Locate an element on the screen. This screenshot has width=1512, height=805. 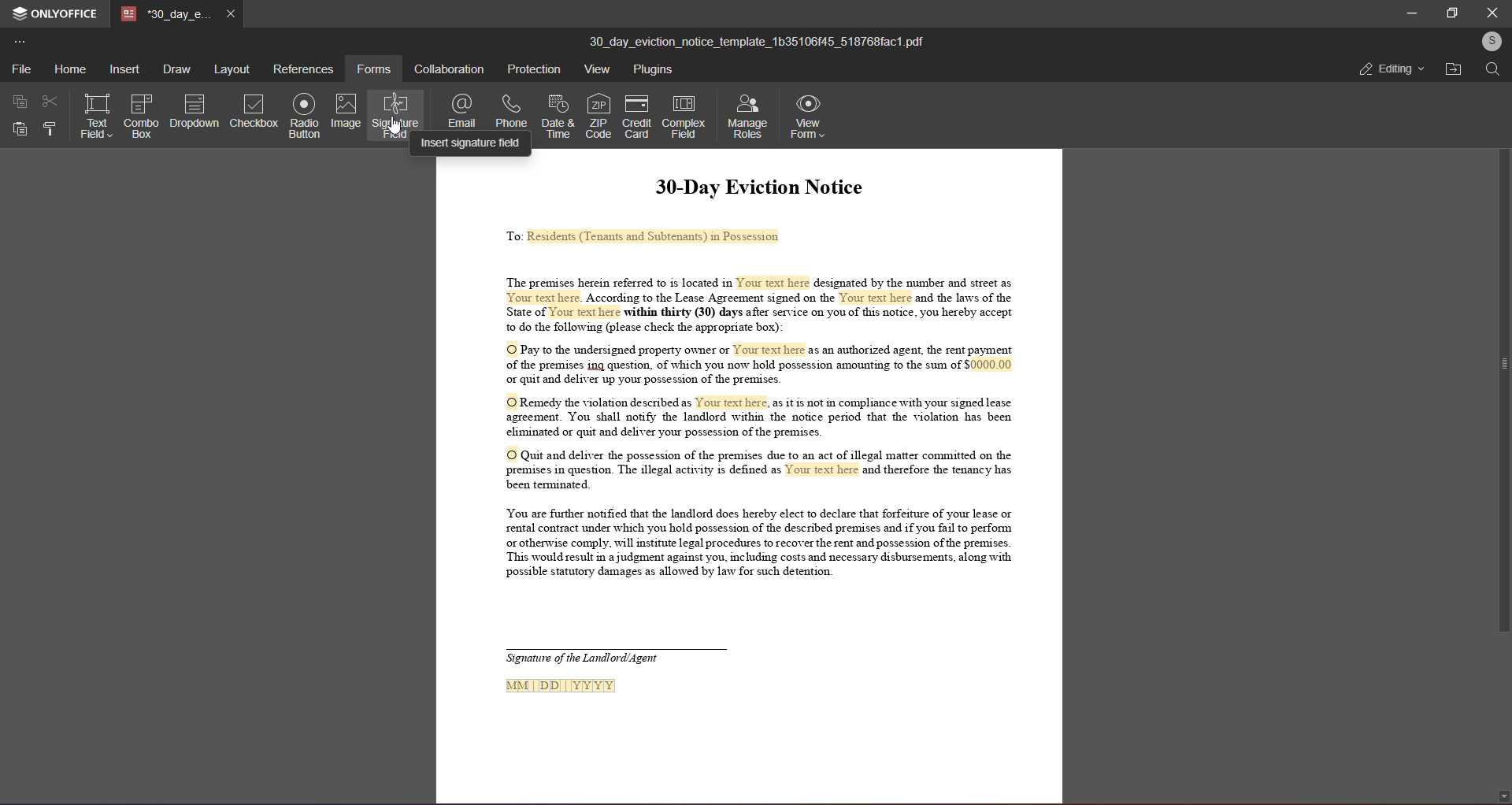
collaboration is located at coordinates (451, 67).